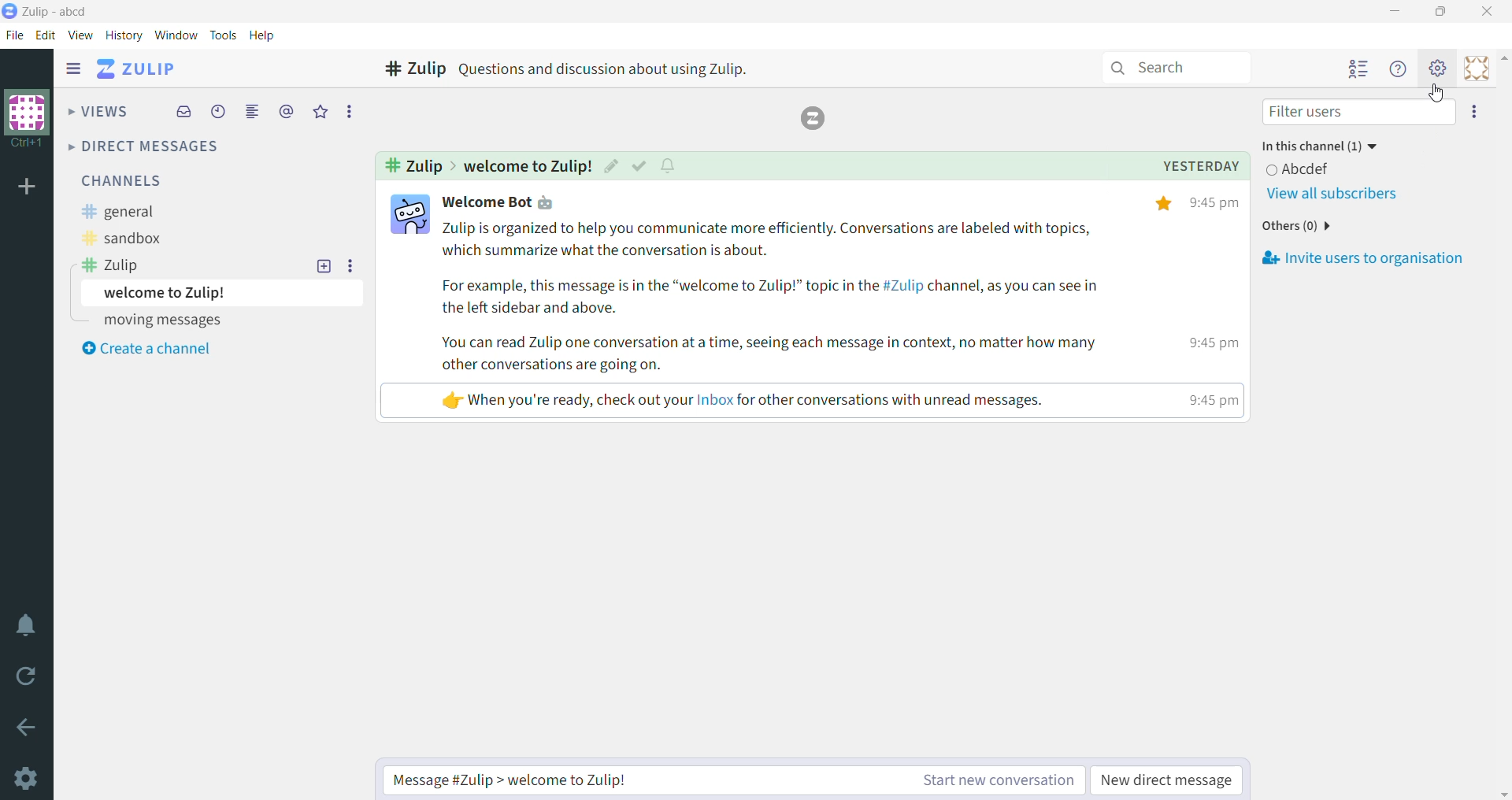 This screenshot has height=800, width=1512. Describe the element at coordinates (606, 69) in the screenshot. I see `Questions and discussion about using Zulip` at that location.